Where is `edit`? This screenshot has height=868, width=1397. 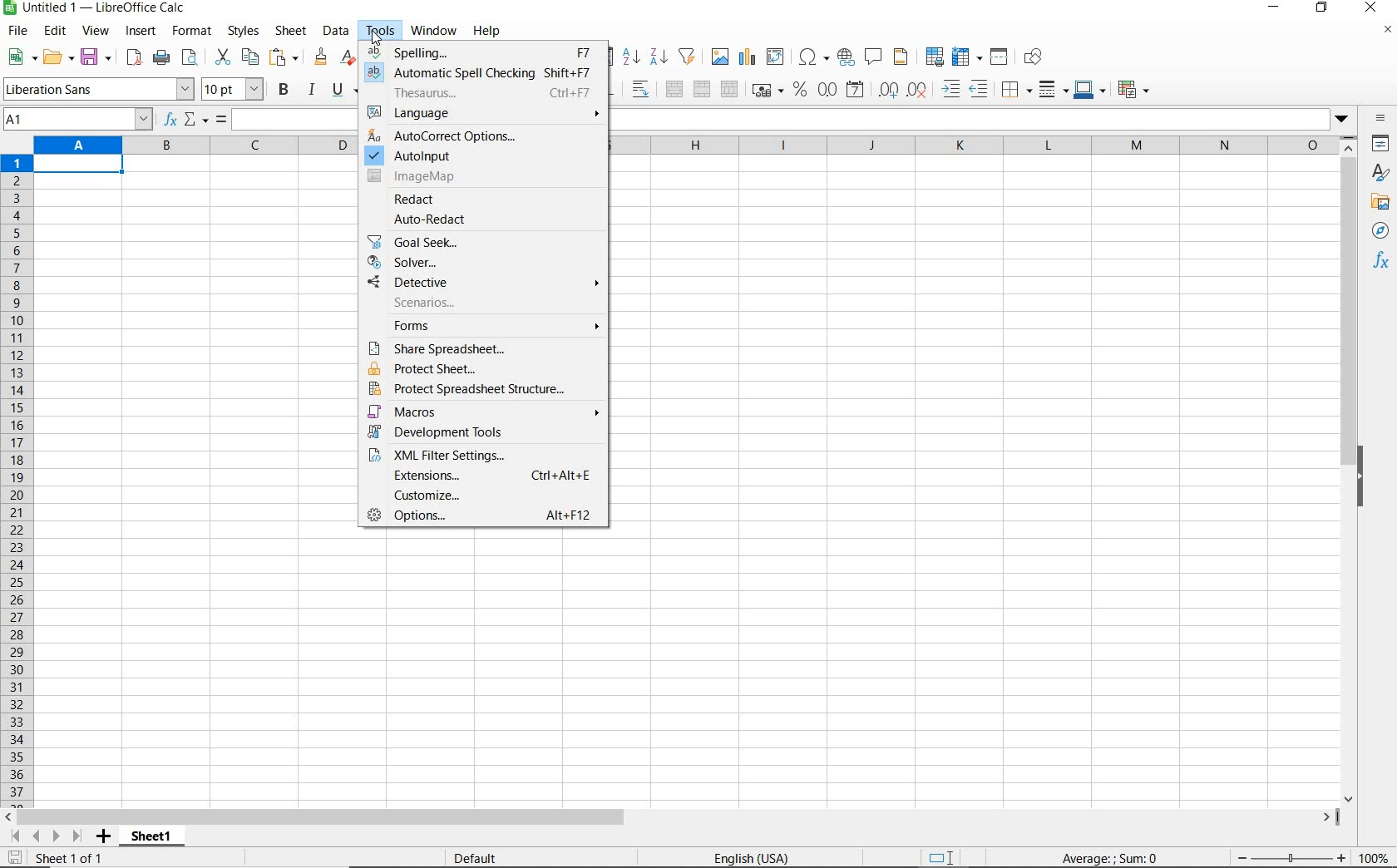 edit is located at coordinates (55, 31).